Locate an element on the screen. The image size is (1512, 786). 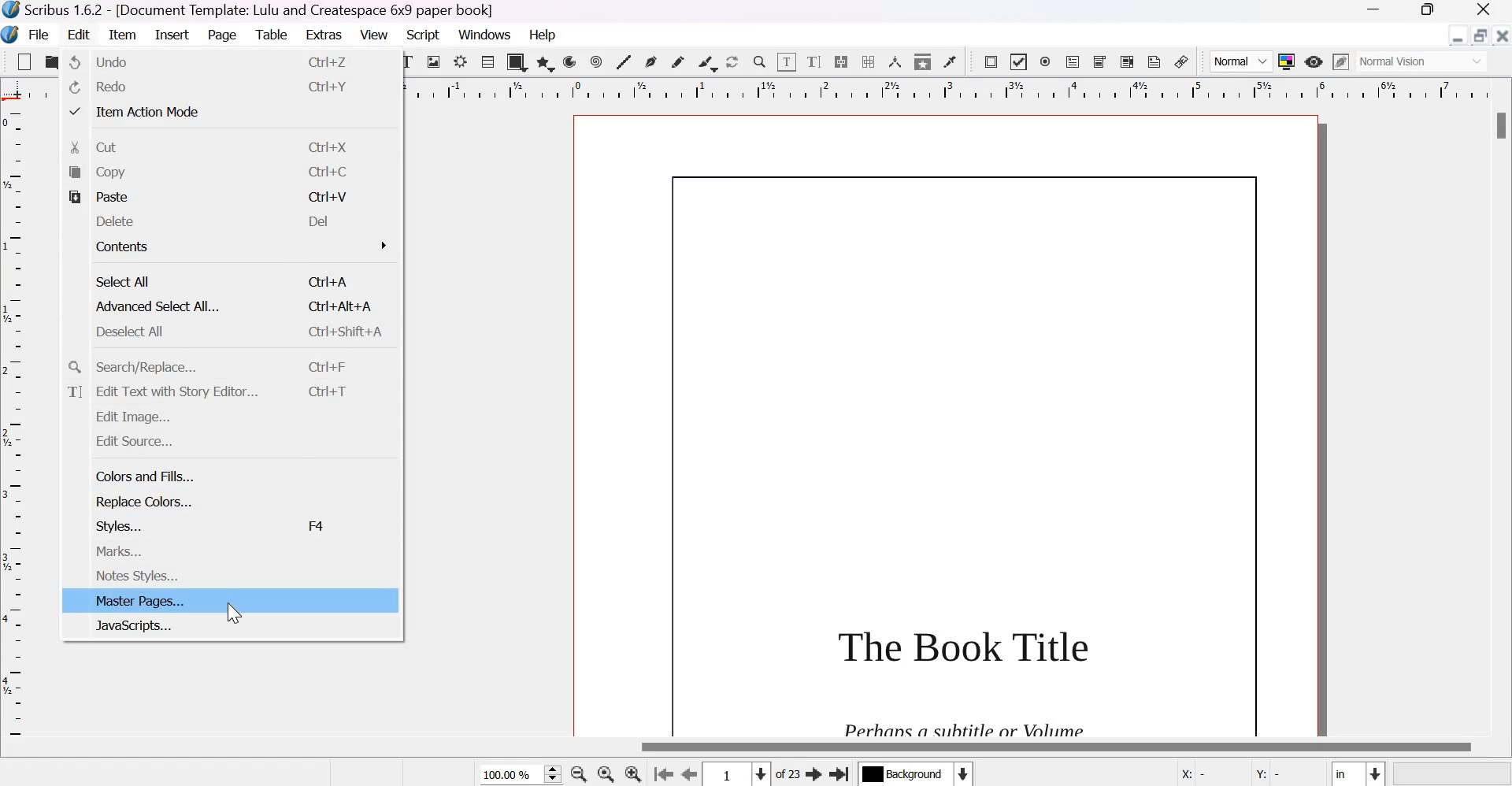
contents is located at coordinates (242, 247).